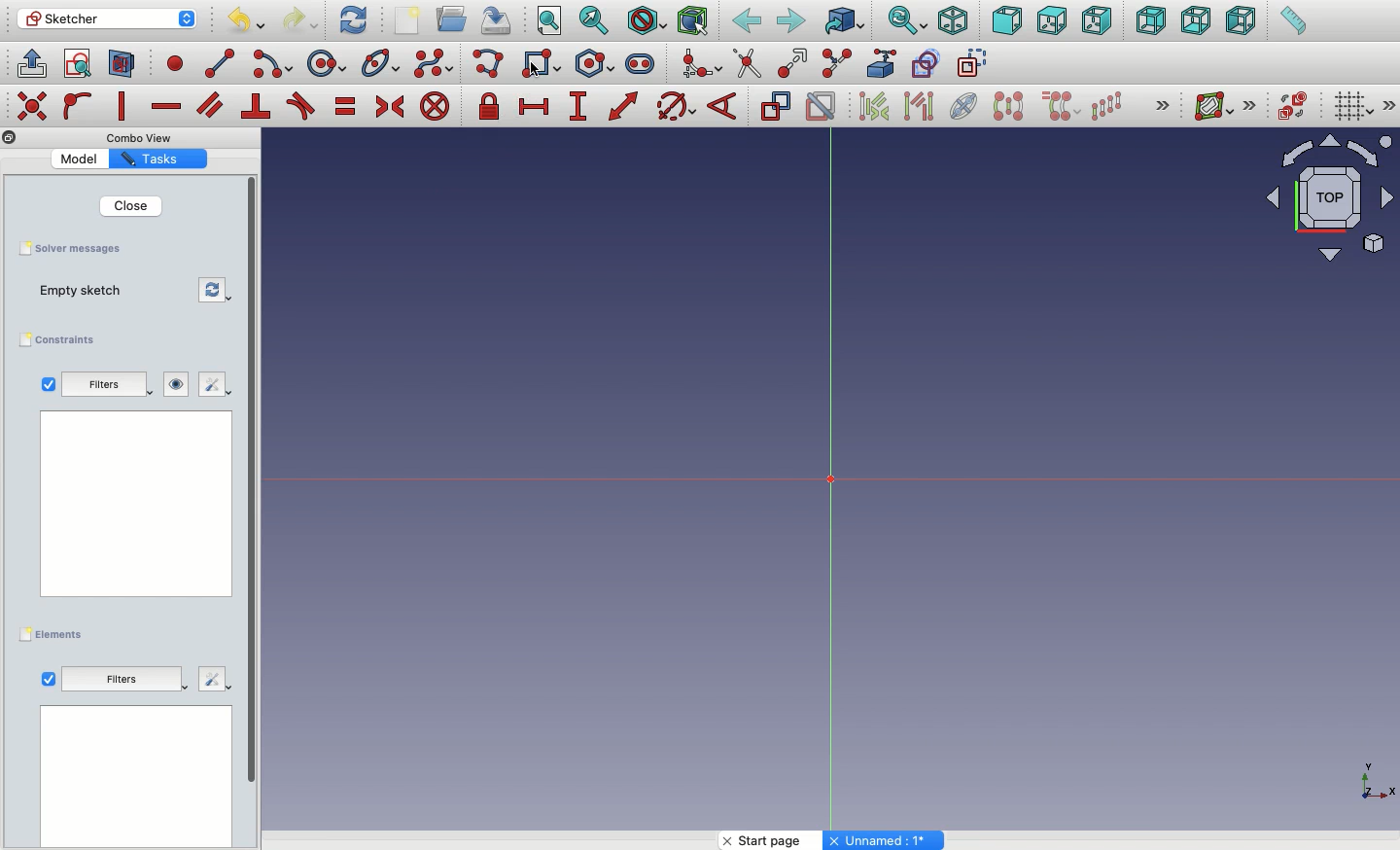  Describe the element at coordinates (1215, 106) in the screenshot. I see `Show hide B spline information layer` at that location.